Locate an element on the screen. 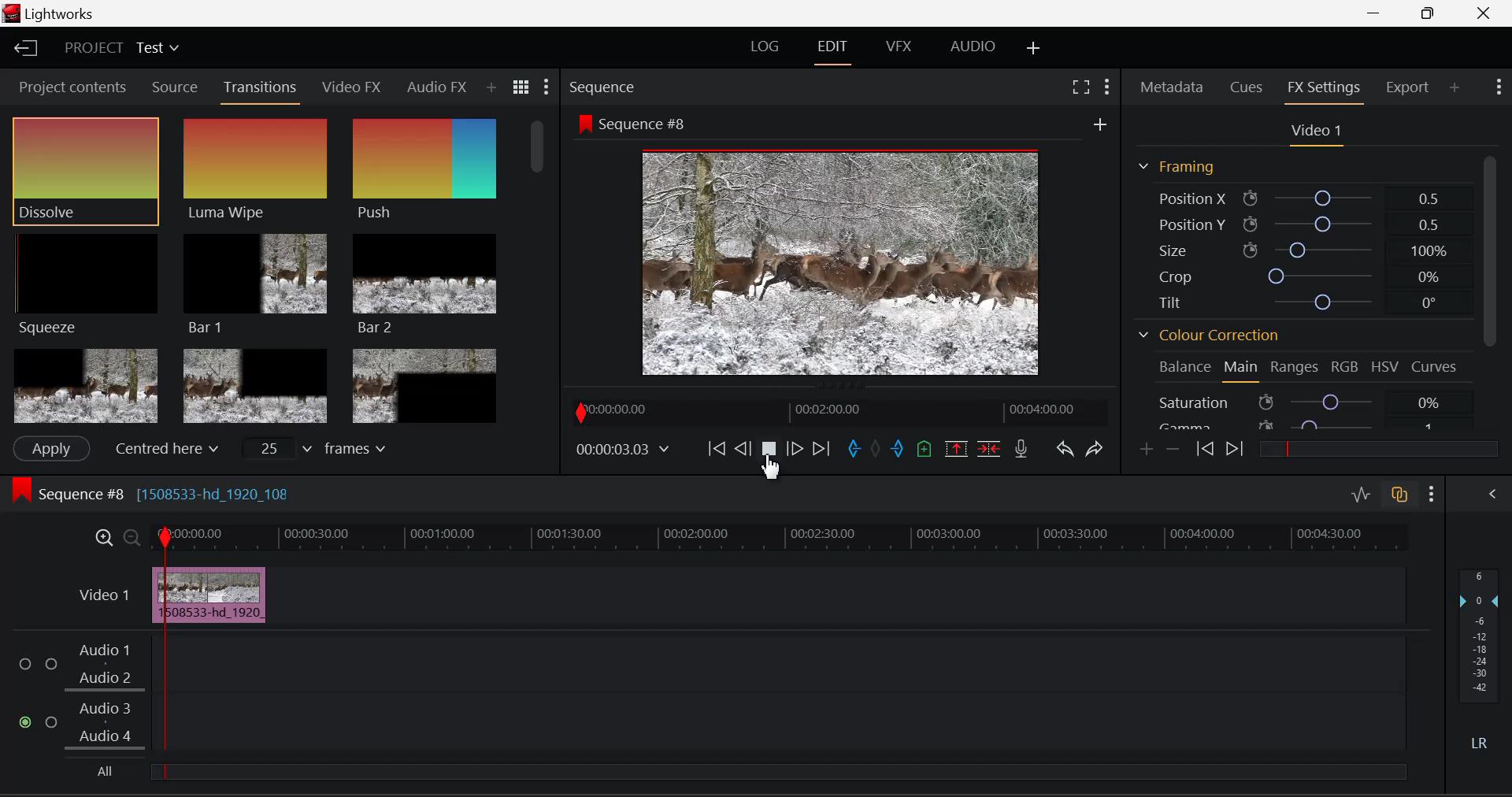 The image size is (1512, 797). Balance is located at coordinates (1180, 367).